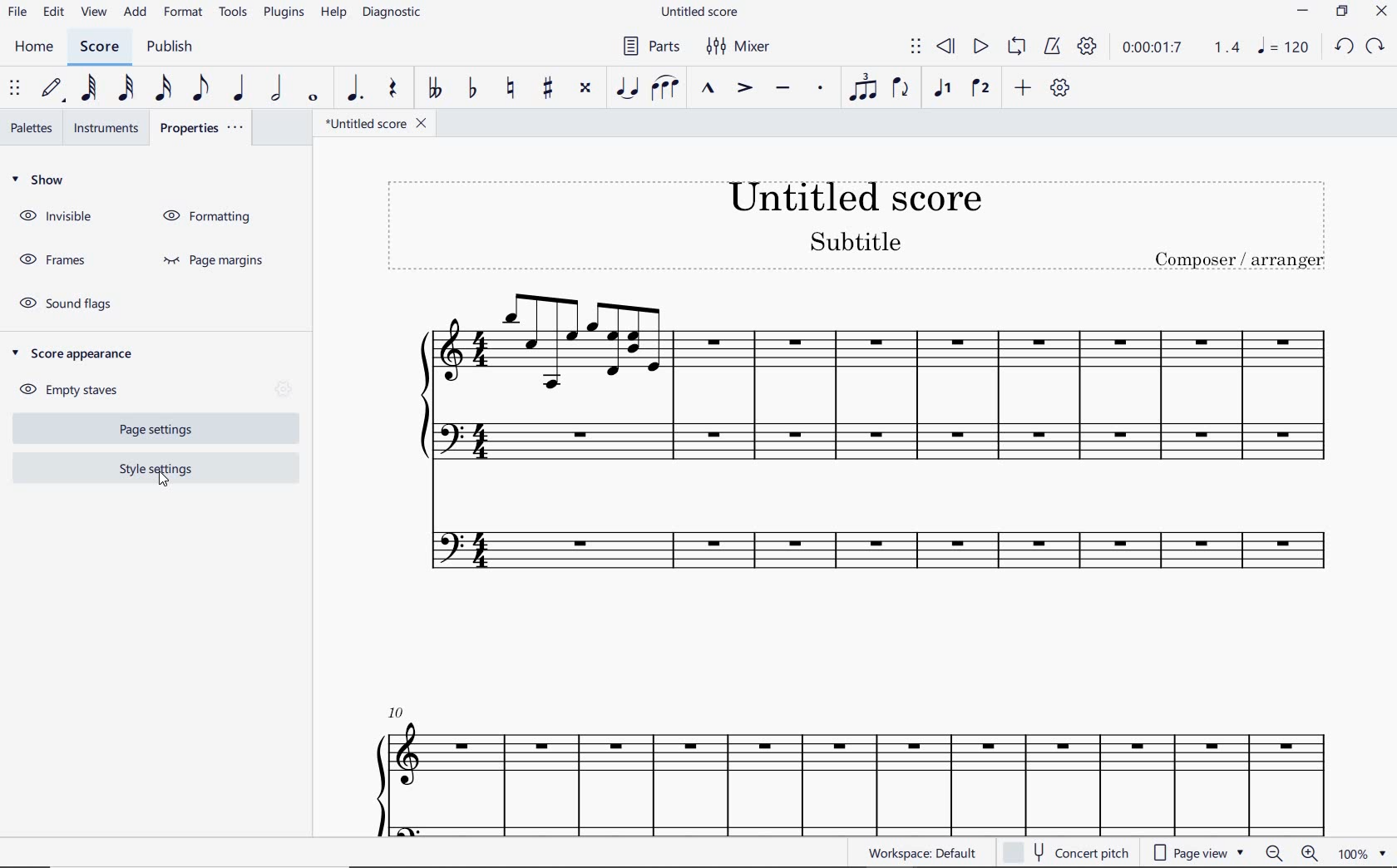 The width and height of the screenshot is (1397, 868). Describe the element at coordinates (52, 258) in the screenshot. I see `FRAMES` at that location.